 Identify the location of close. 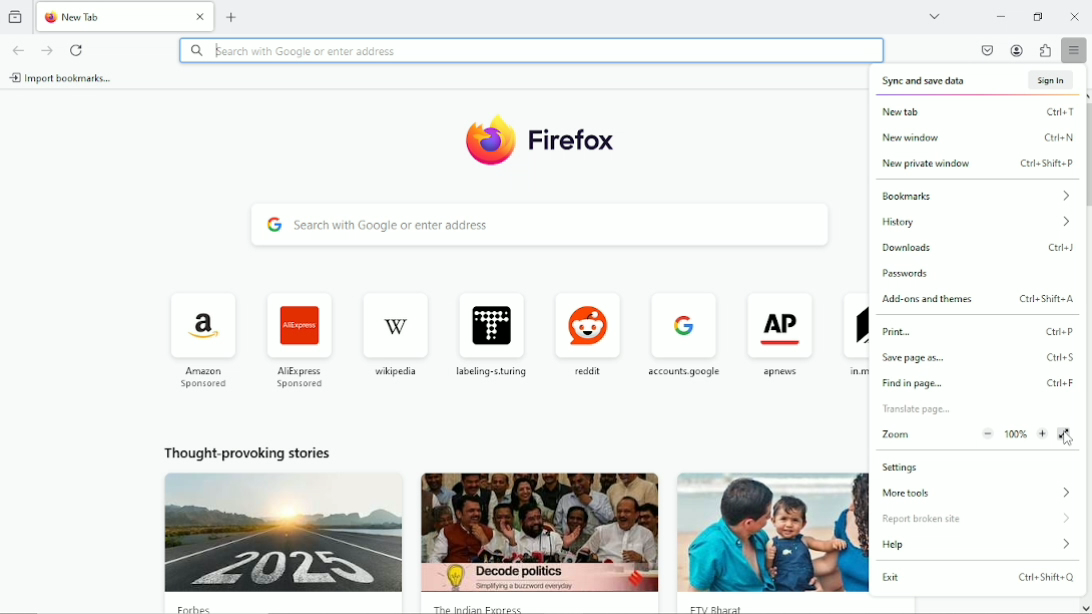
(201, 15).